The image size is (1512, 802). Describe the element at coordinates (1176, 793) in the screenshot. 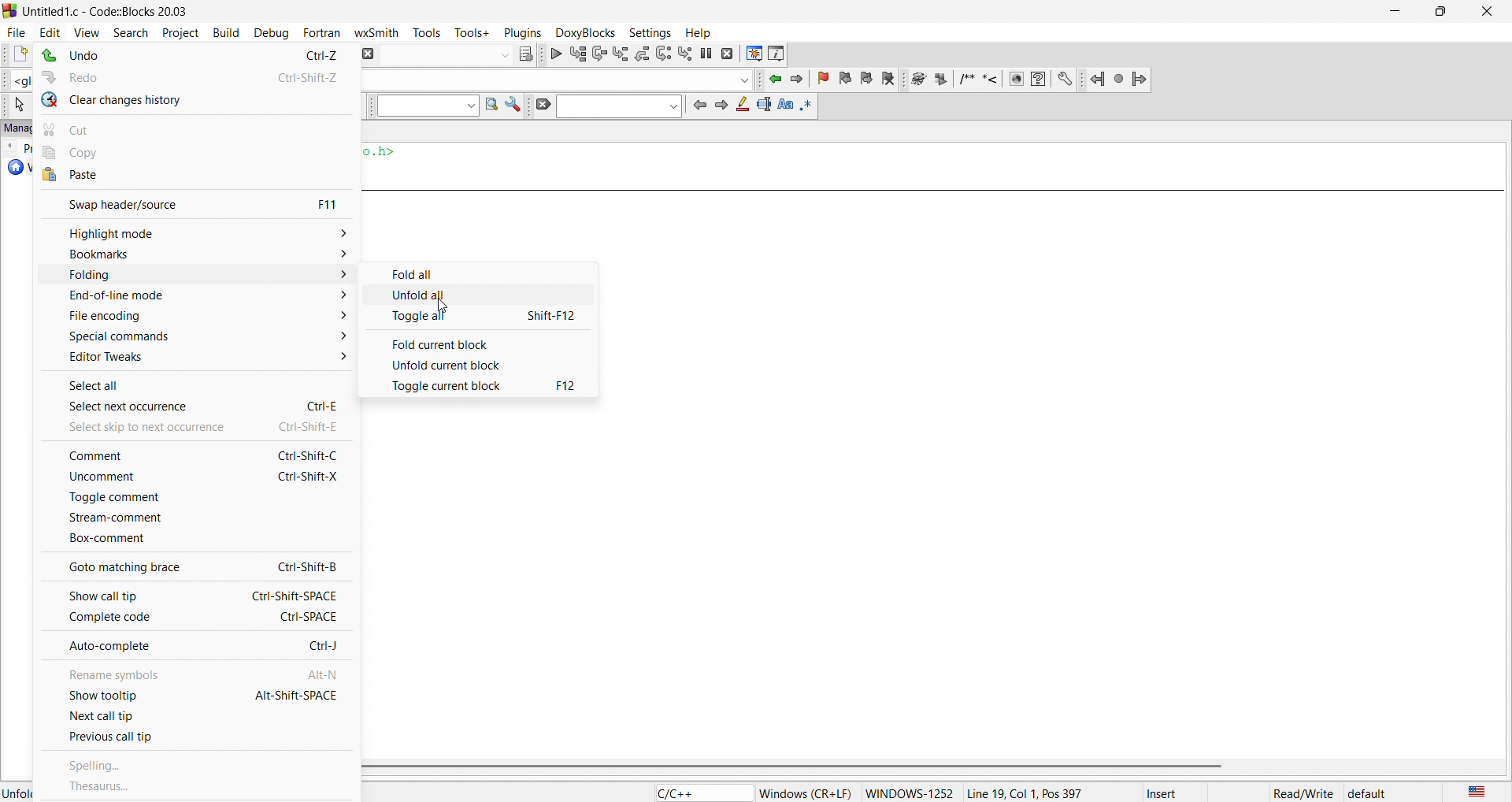

I see `Insert` at that location.